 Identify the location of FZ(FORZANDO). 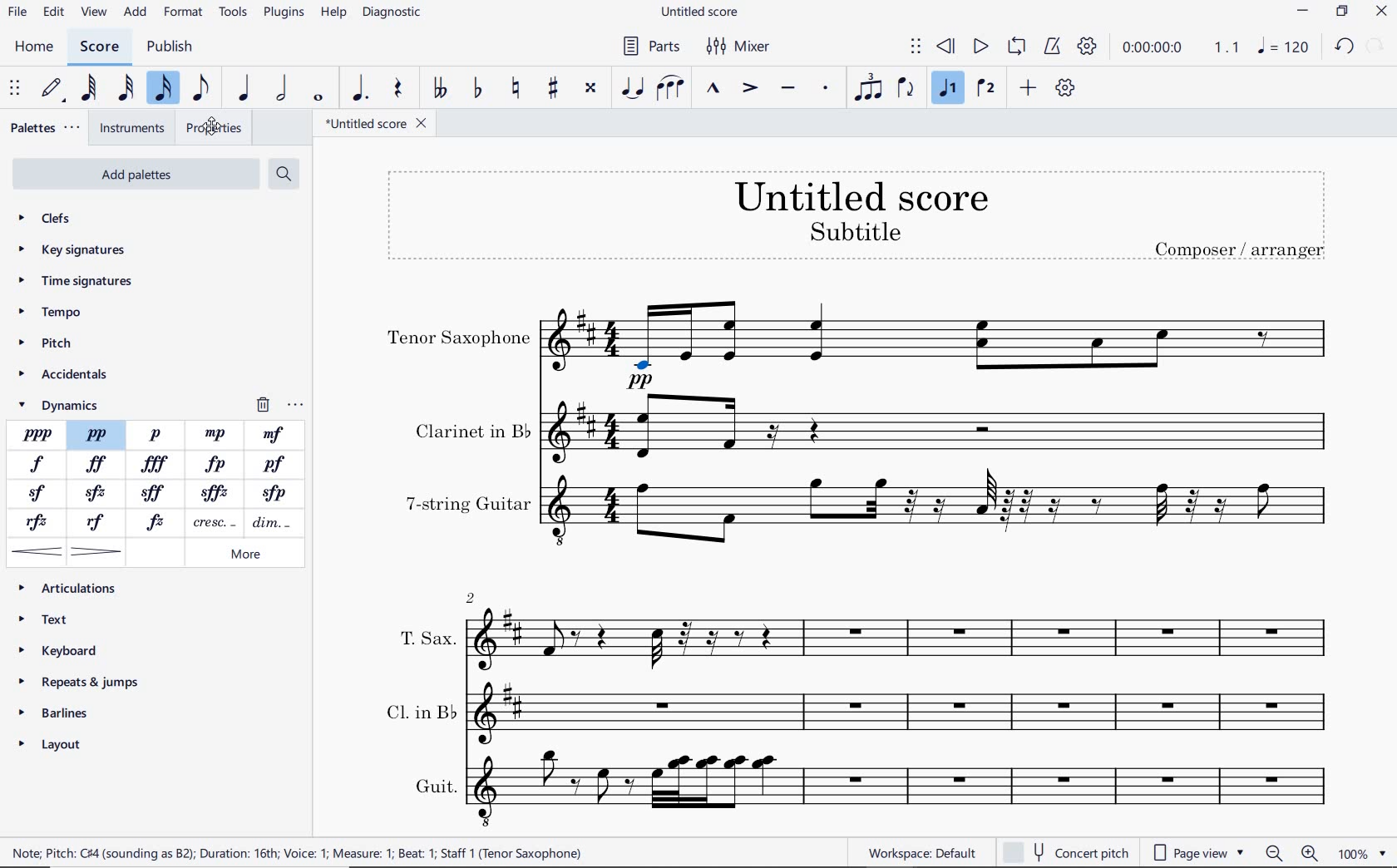
(157, 521).